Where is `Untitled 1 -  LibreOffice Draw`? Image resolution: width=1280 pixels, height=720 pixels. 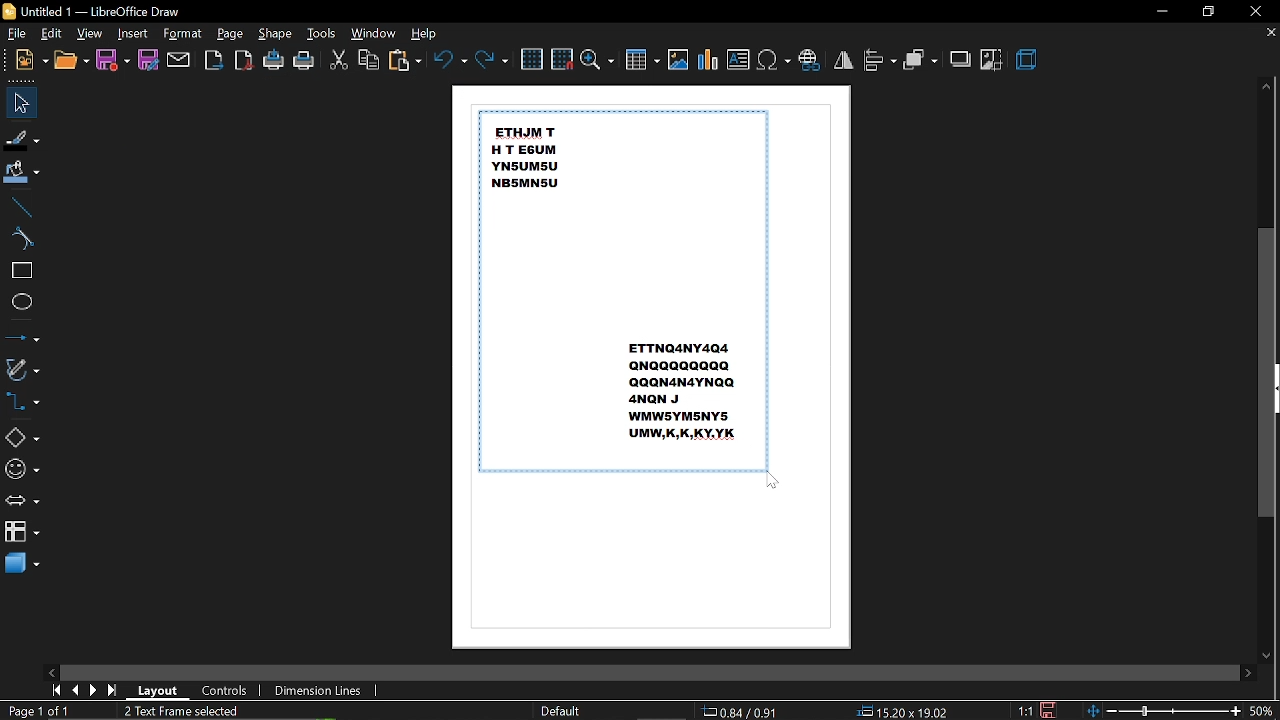 Untitled 1 -  LibreOffice Draw is located at coordinates (92, 10).